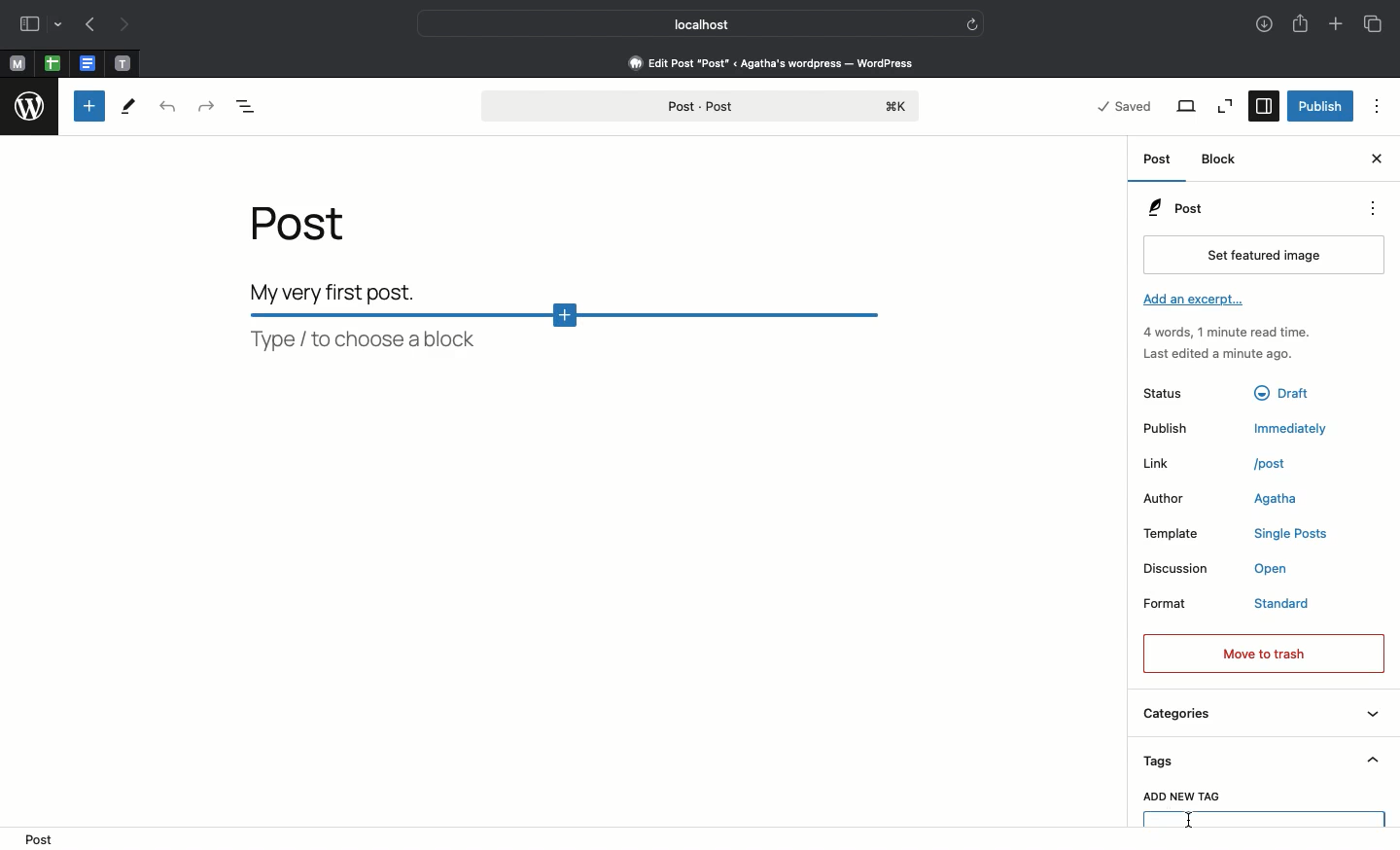 The height and width of the screenshot is (850, 1400). I want to click on Tabs, so click(1371, 22).